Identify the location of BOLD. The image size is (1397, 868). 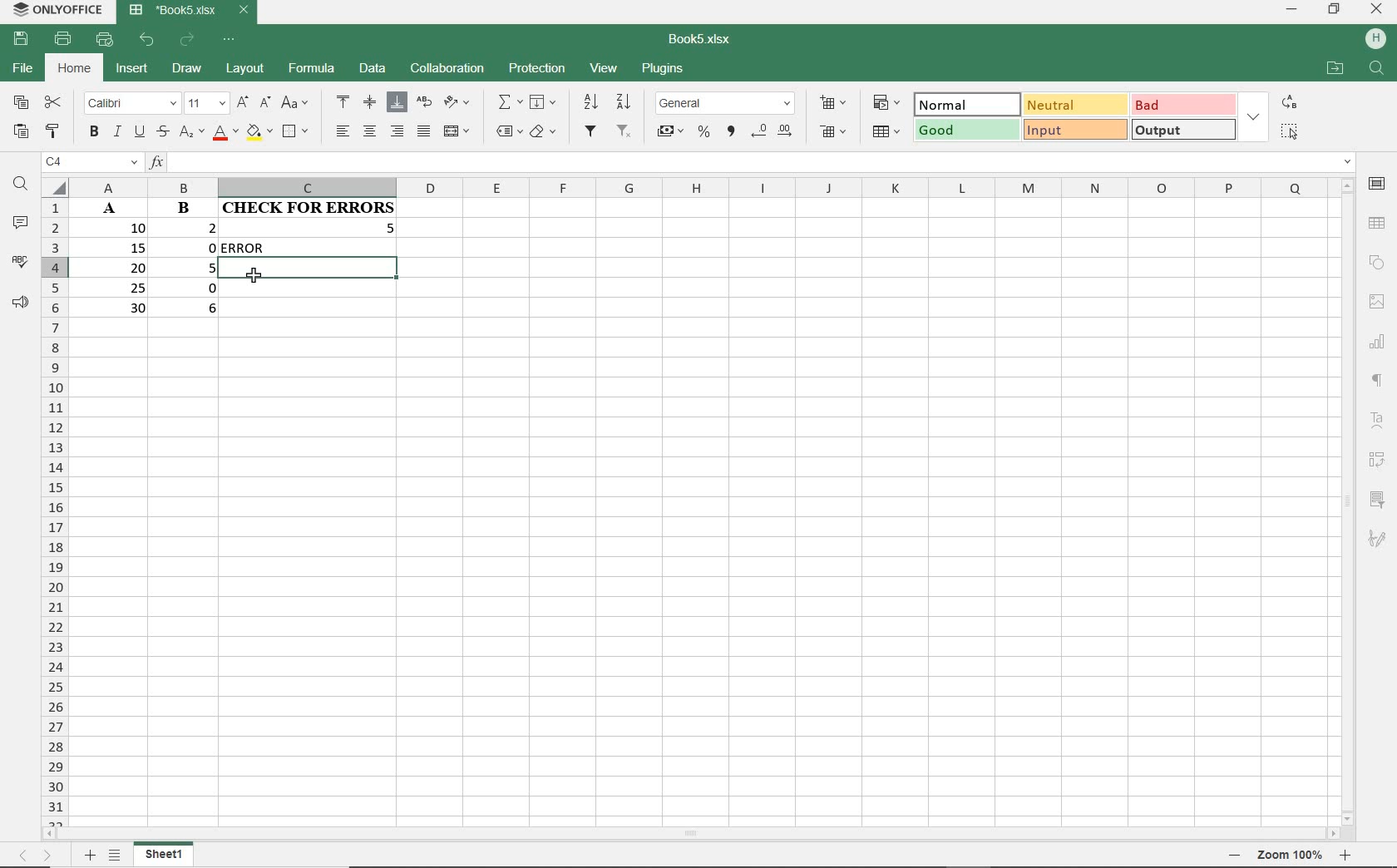
(94, 133).